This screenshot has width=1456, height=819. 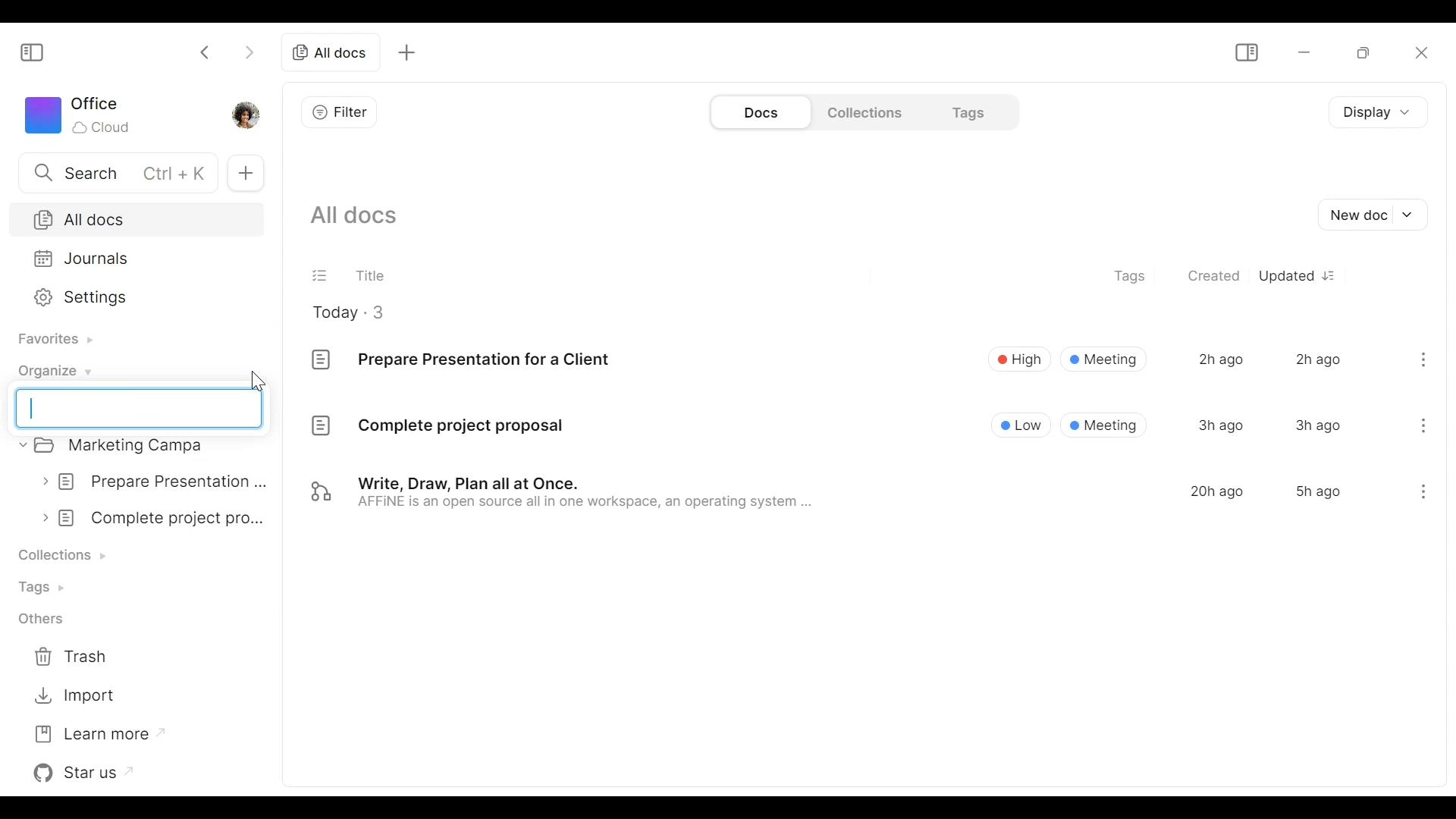 What do you see at coordinates (81, 115) in the screenshot?
I see `Workspace` at bounding box center [81, 115].